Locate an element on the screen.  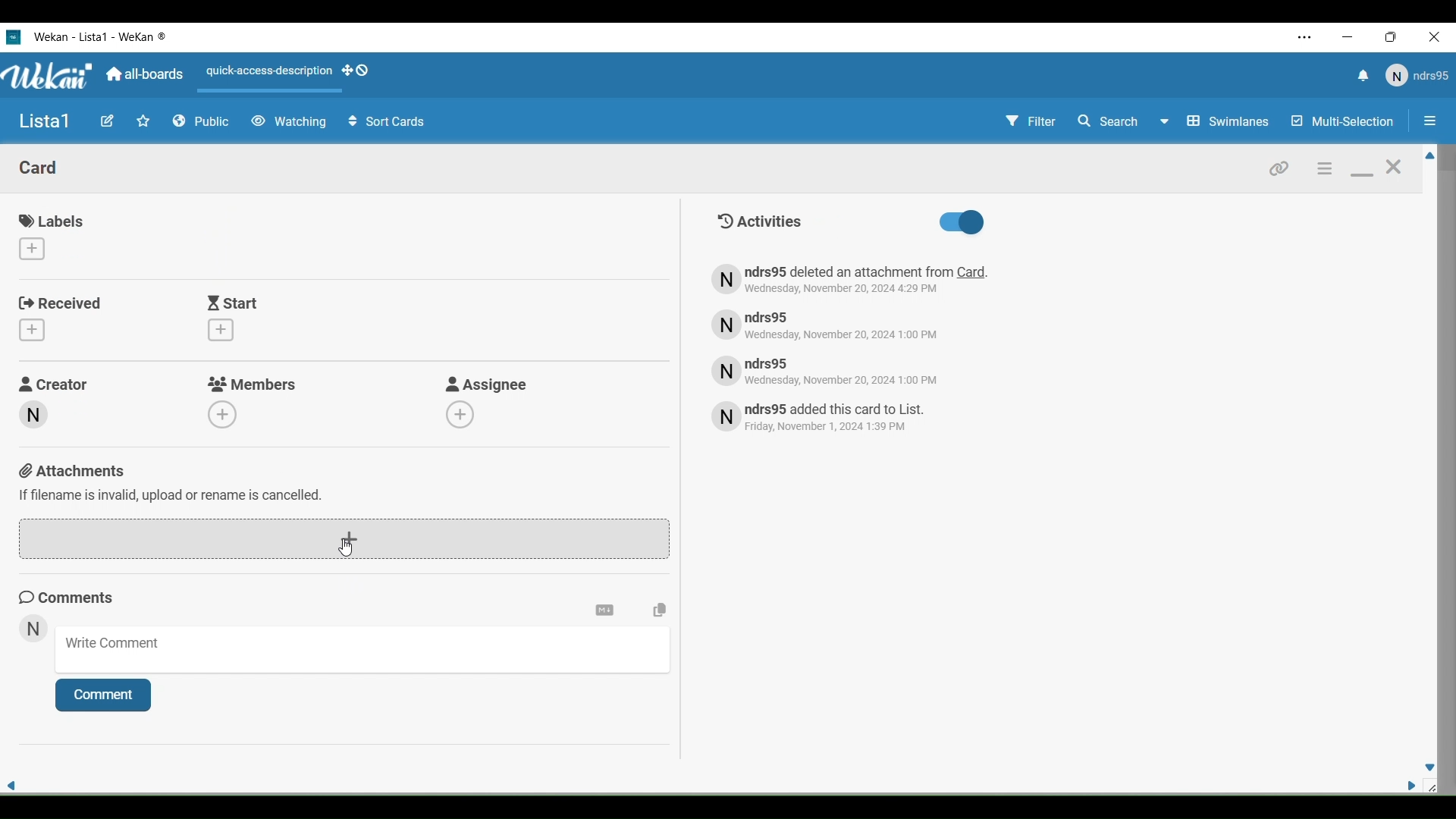
WeKan is located at coordinates (49, 76).